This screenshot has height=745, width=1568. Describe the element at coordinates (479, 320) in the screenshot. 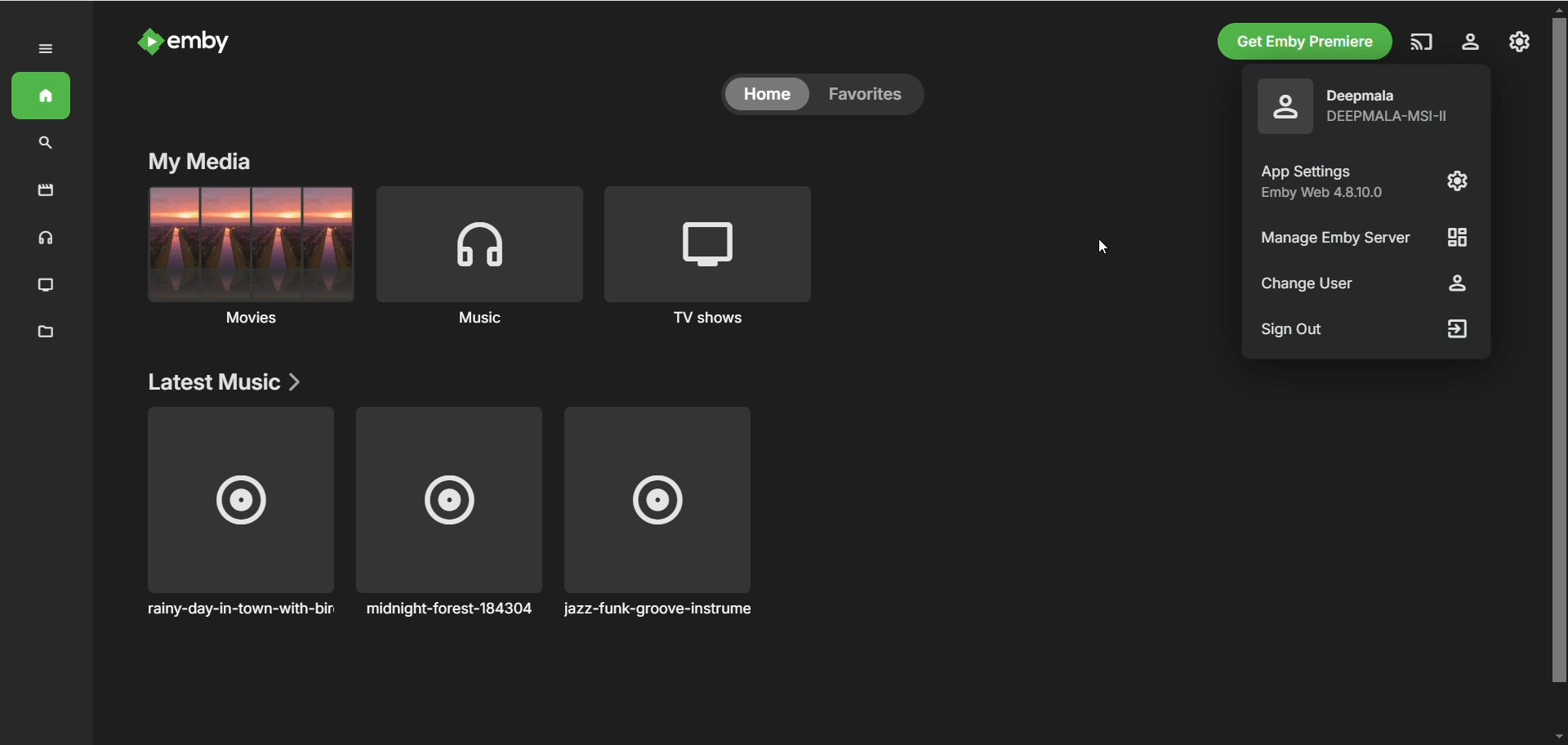

I see `Music` at that location.